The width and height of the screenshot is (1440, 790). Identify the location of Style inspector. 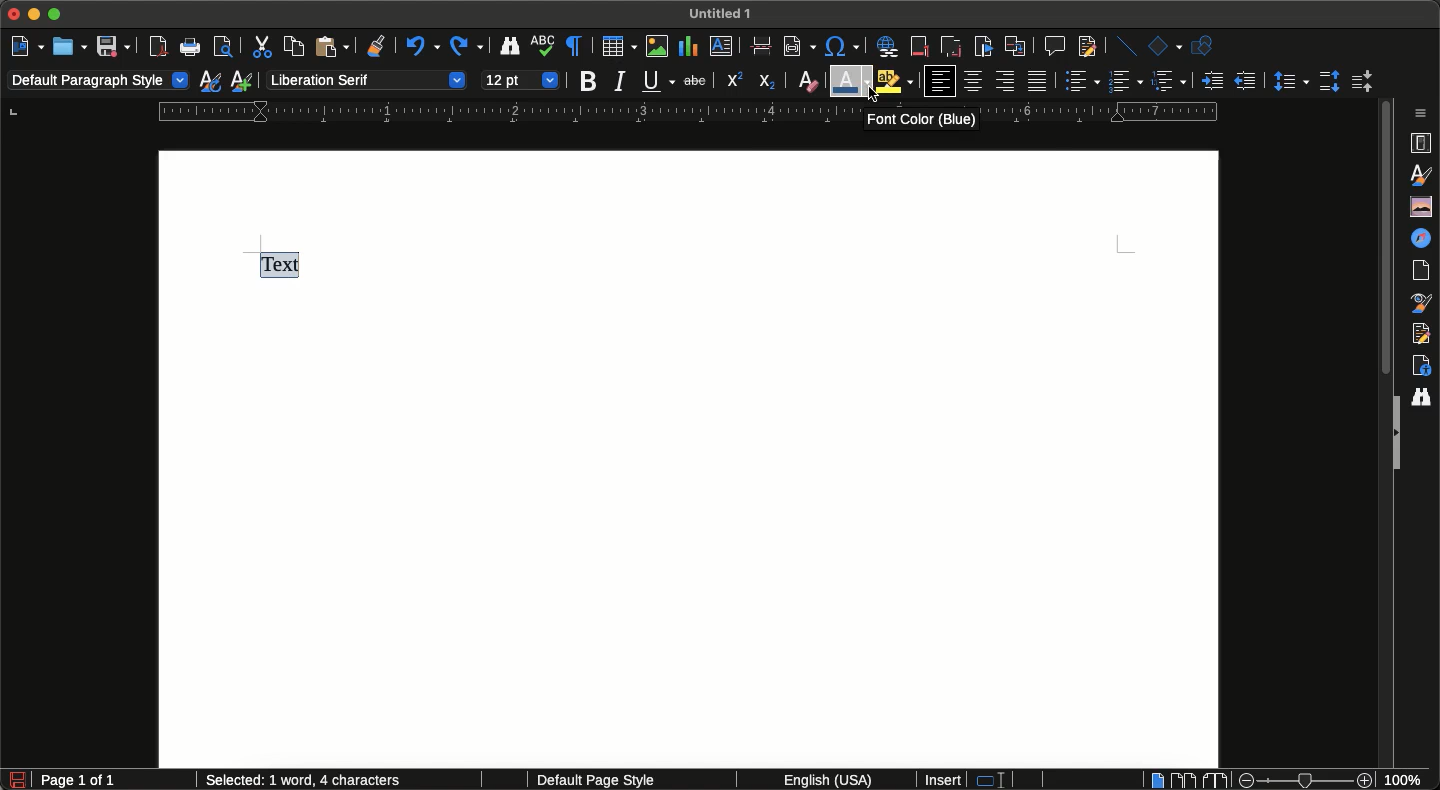
(1423, 303).